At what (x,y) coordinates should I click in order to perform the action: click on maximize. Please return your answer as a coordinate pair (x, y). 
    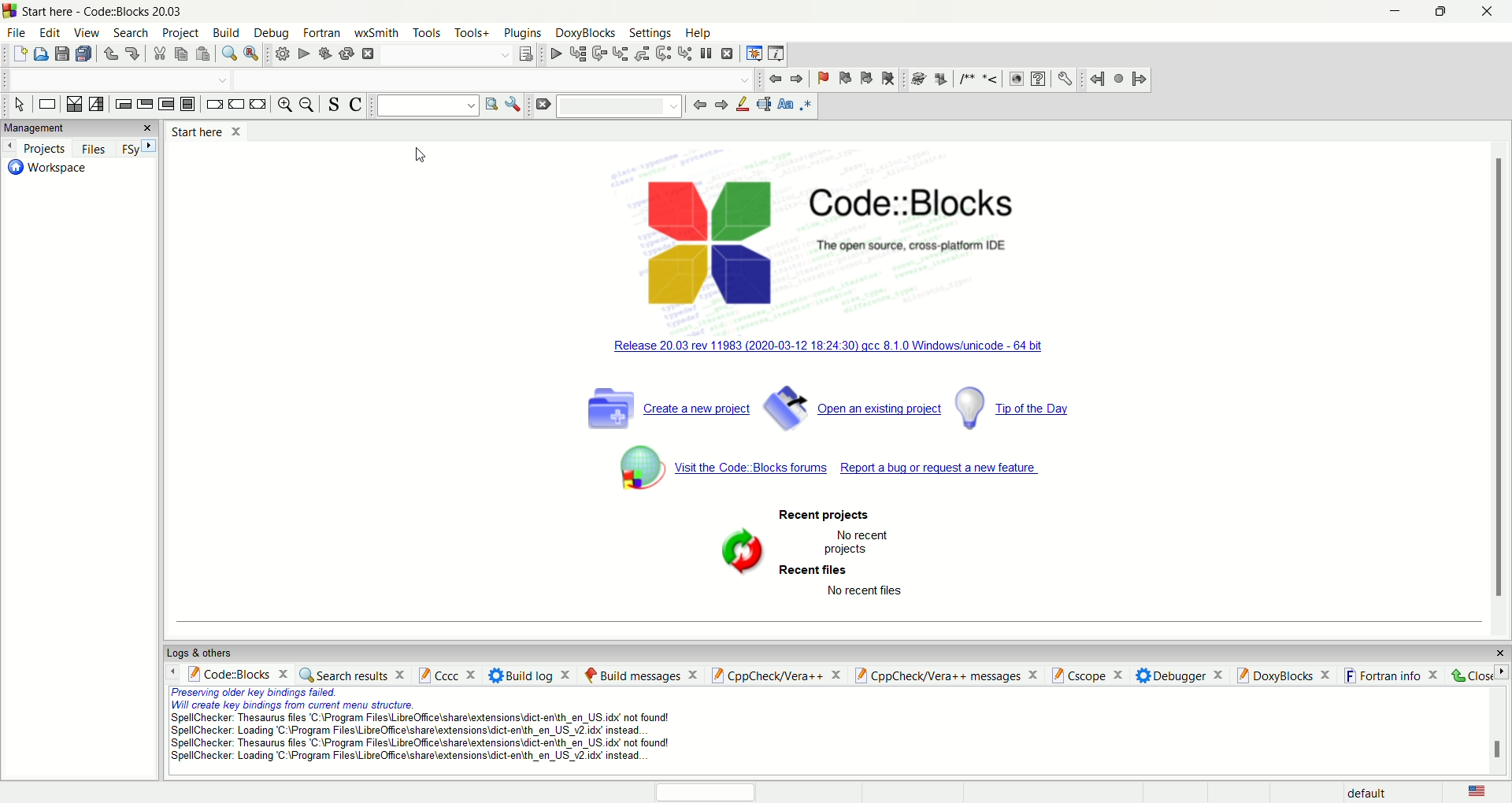
    Looking at the image, I should click on (1436, 16).